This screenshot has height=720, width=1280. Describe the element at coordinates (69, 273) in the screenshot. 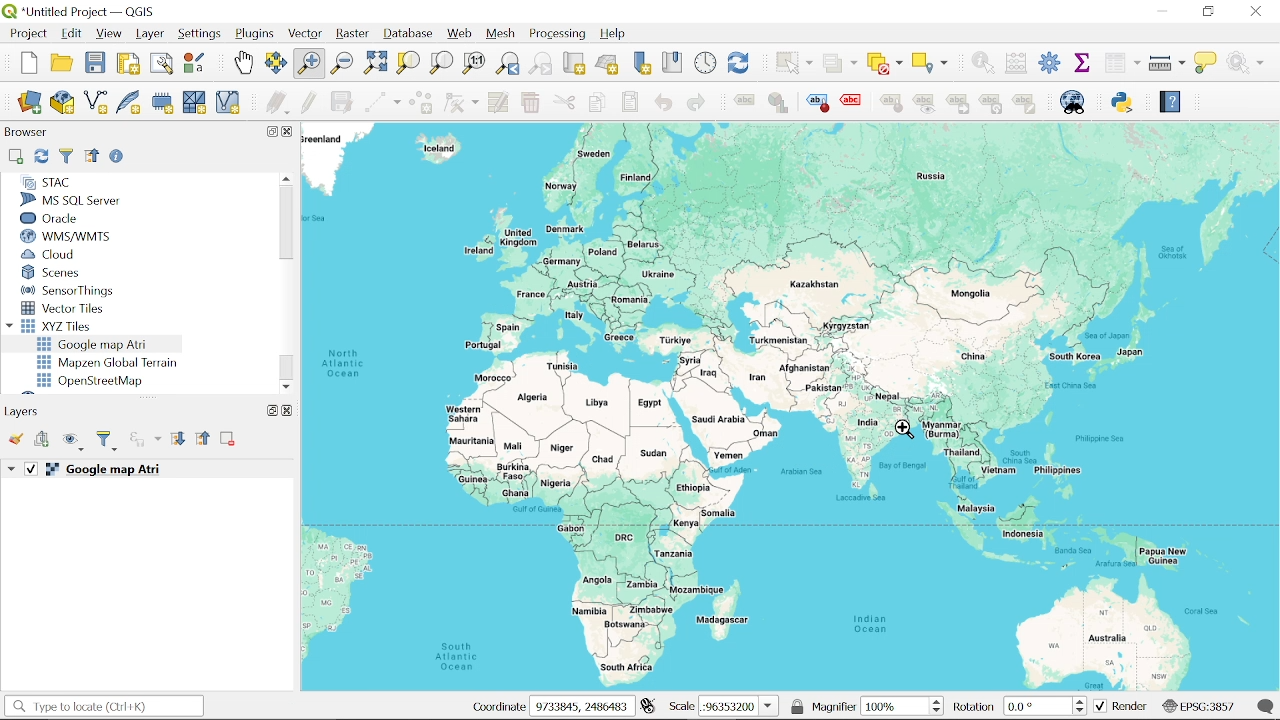

I see `Scenes` at that location.